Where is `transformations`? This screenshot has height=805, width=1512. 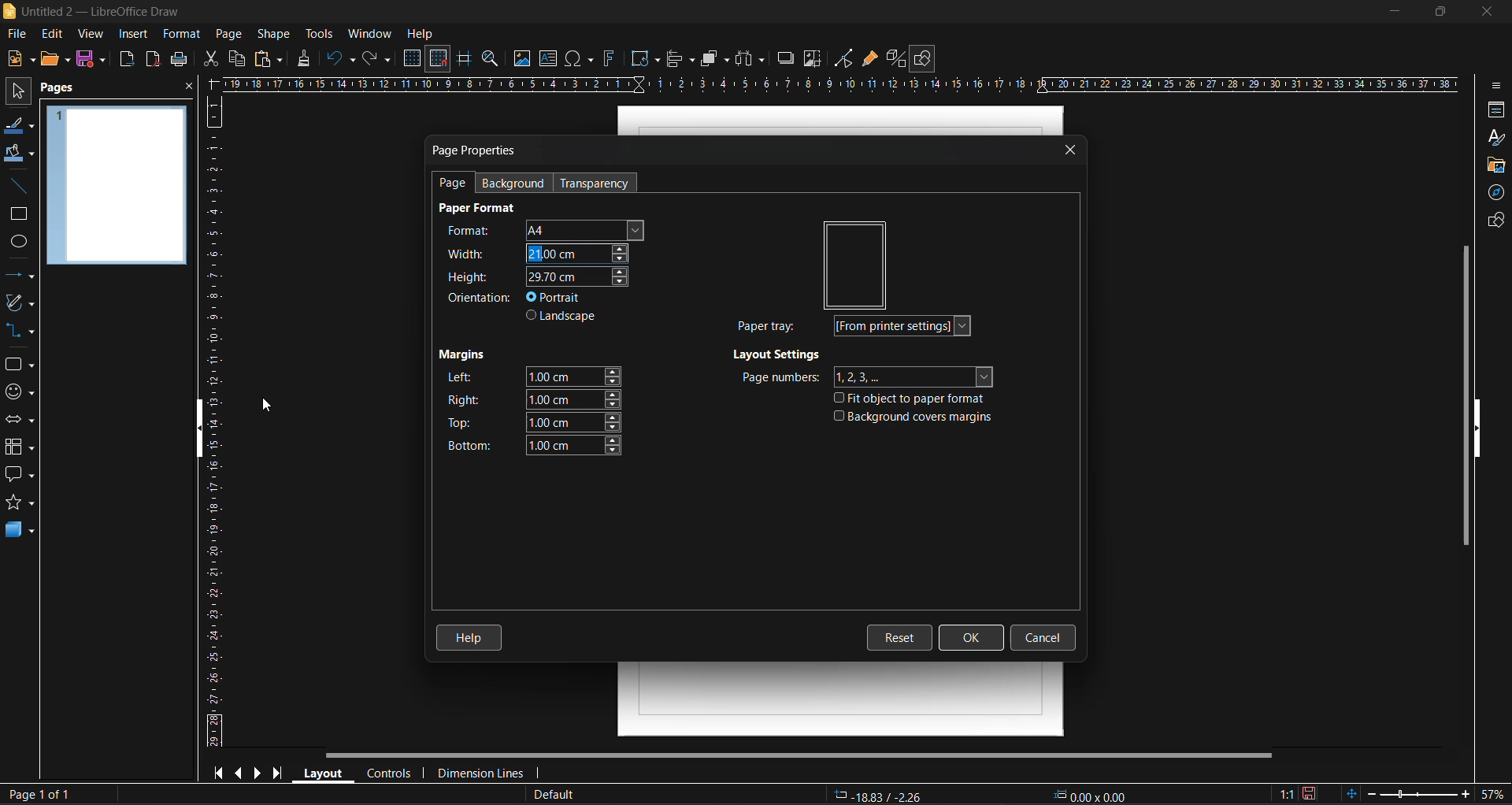
transformations is located at coordinates (646, 58).